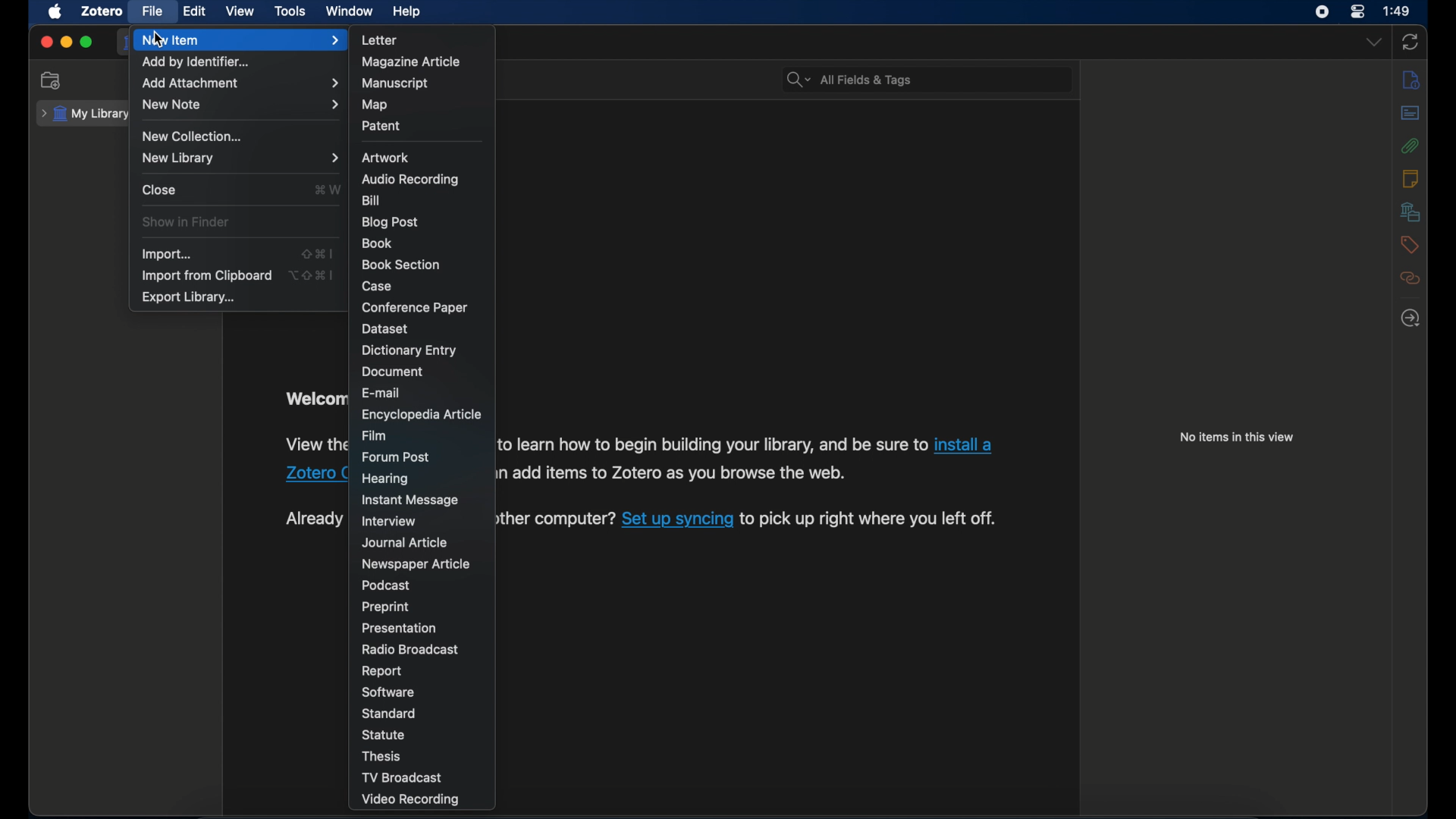 This screenshot has height=819, width=1456. I want to click on tags, so click(1410, 245).